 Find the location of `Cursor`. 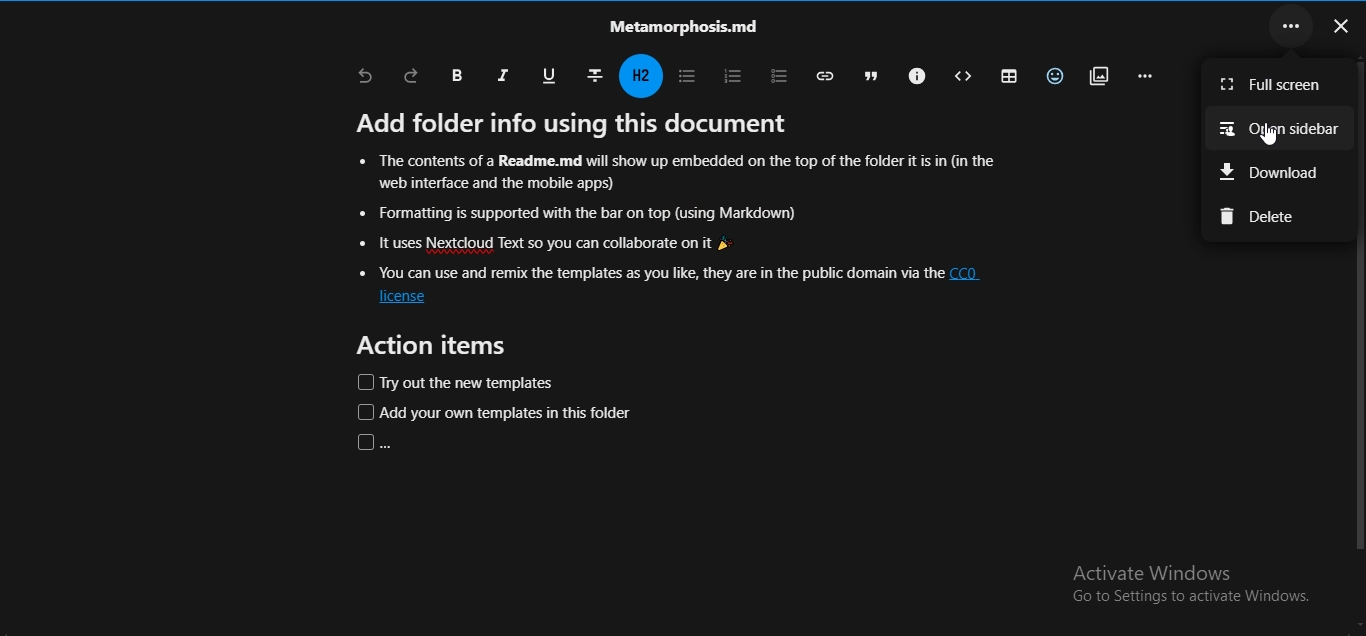

Cursor is located at coordinates (1270, 136).